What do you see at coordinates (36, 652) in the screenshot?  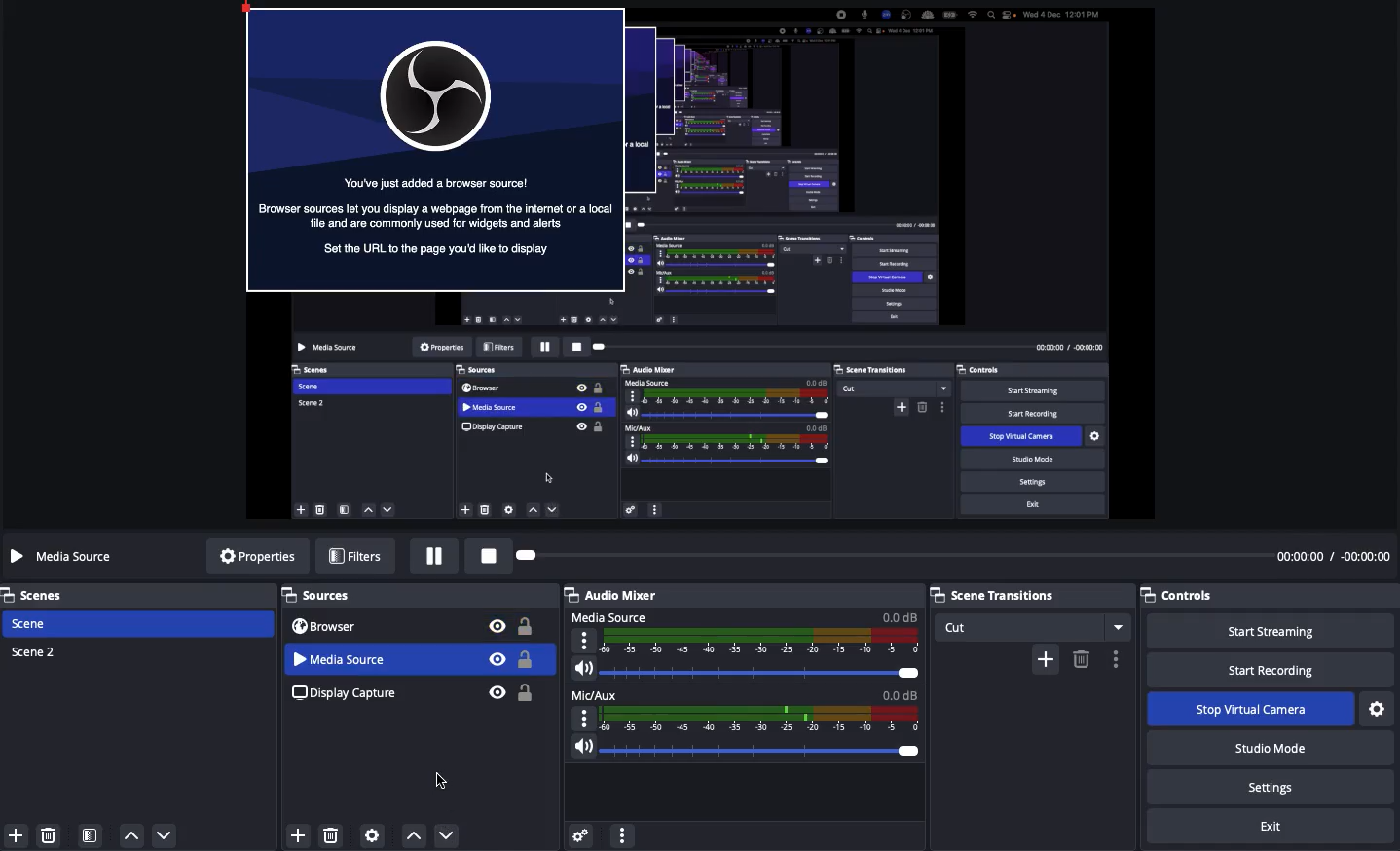 I see `Scene 2` at bounding box center [36, 652].